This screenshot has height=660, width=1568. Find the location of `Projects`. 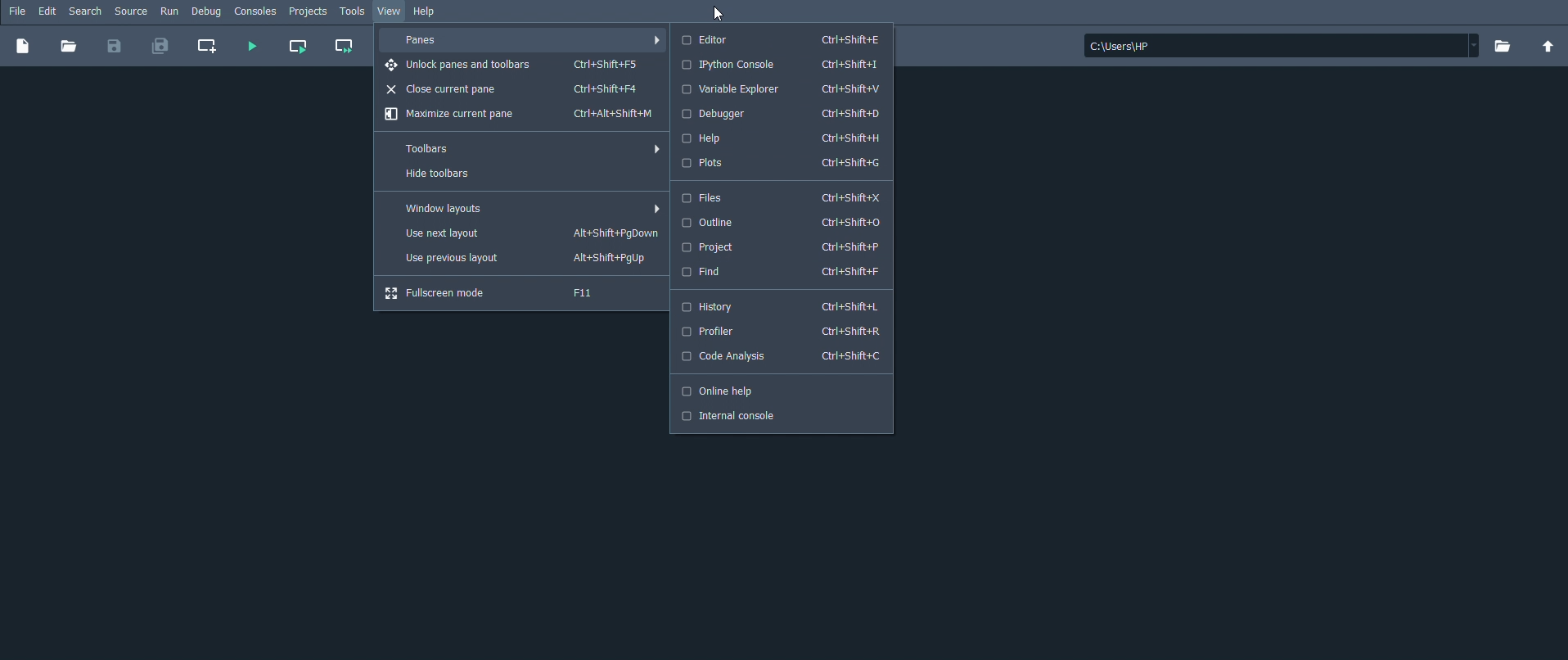

Projects is located at coordinates (309, 11).